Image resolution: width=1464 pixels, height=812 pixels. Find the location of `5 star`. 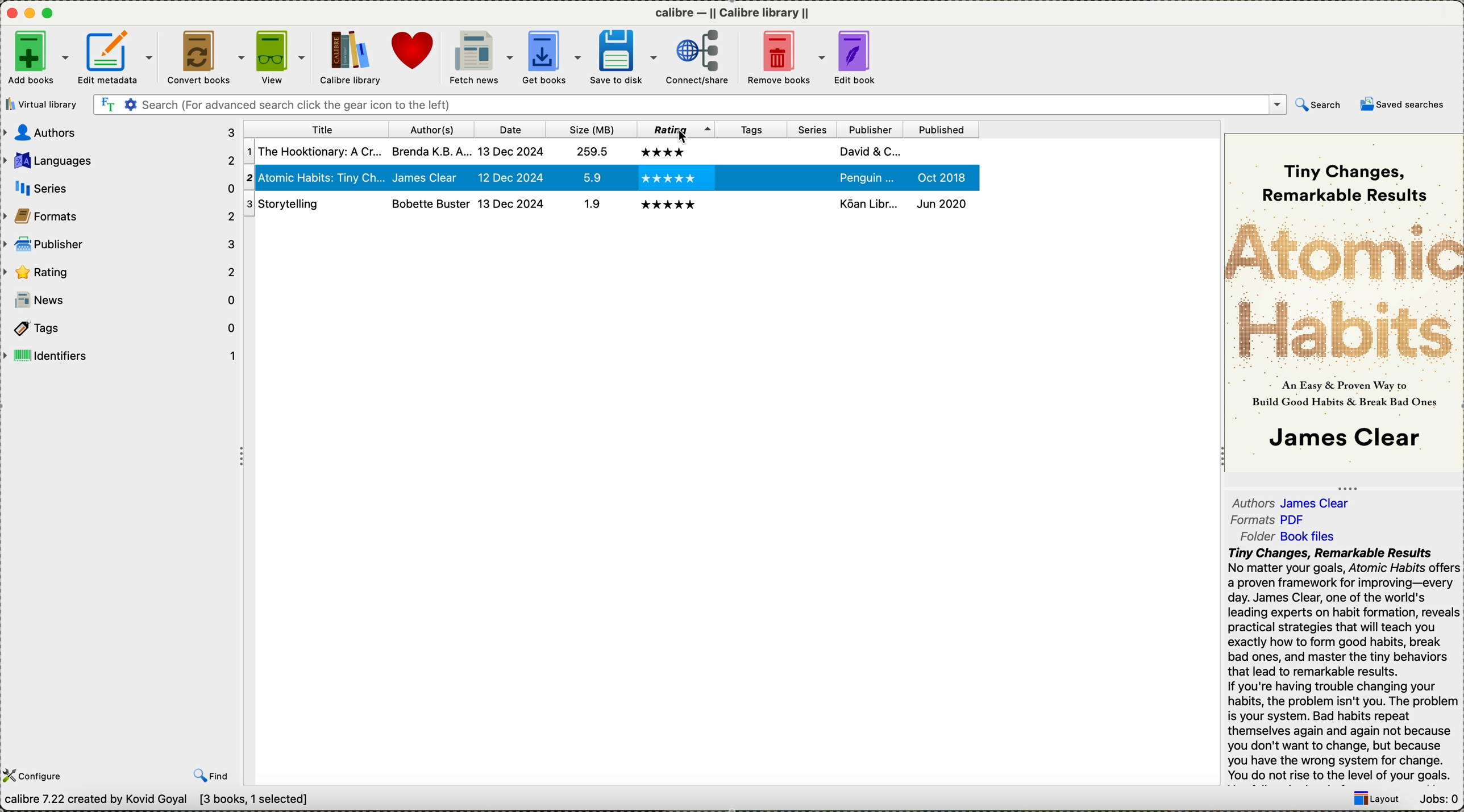

5 star is located at coordinates (666, 178).